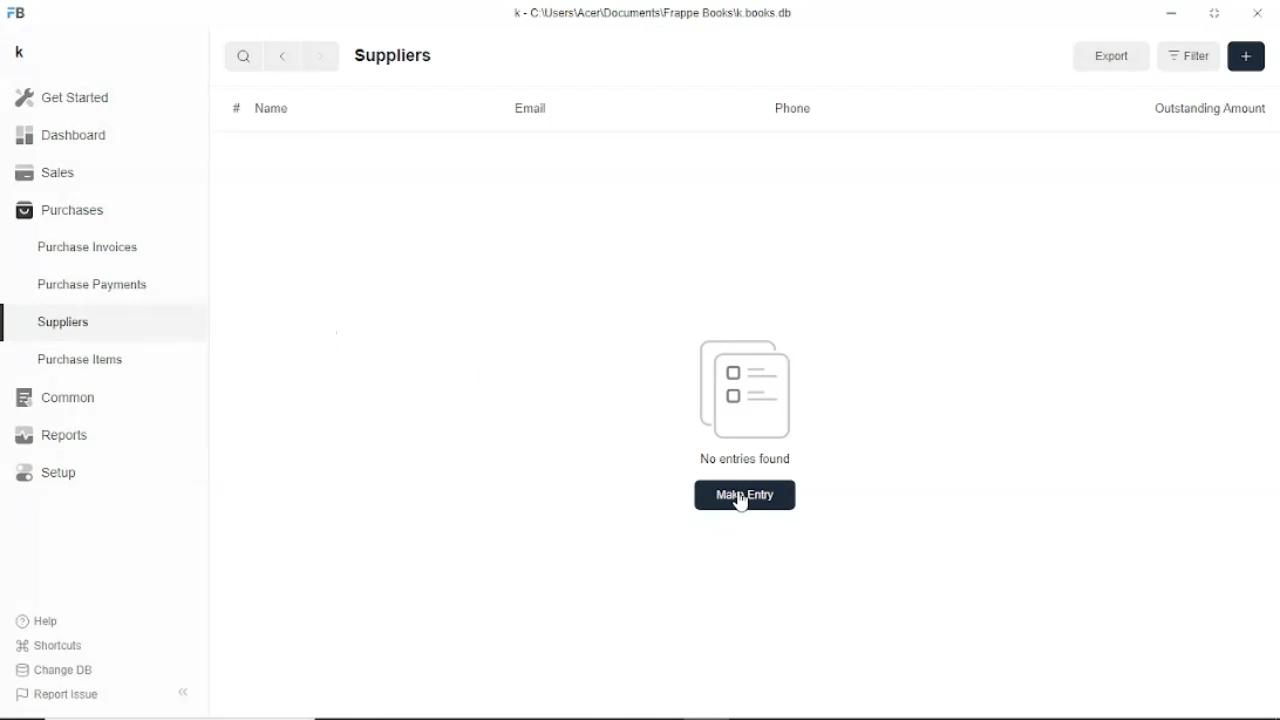 Image resolution: width=1280 pixels, height=720 pixels. Describe the element at coordinates (740, 500) in the screenshot. I see `Cursor` at that location.